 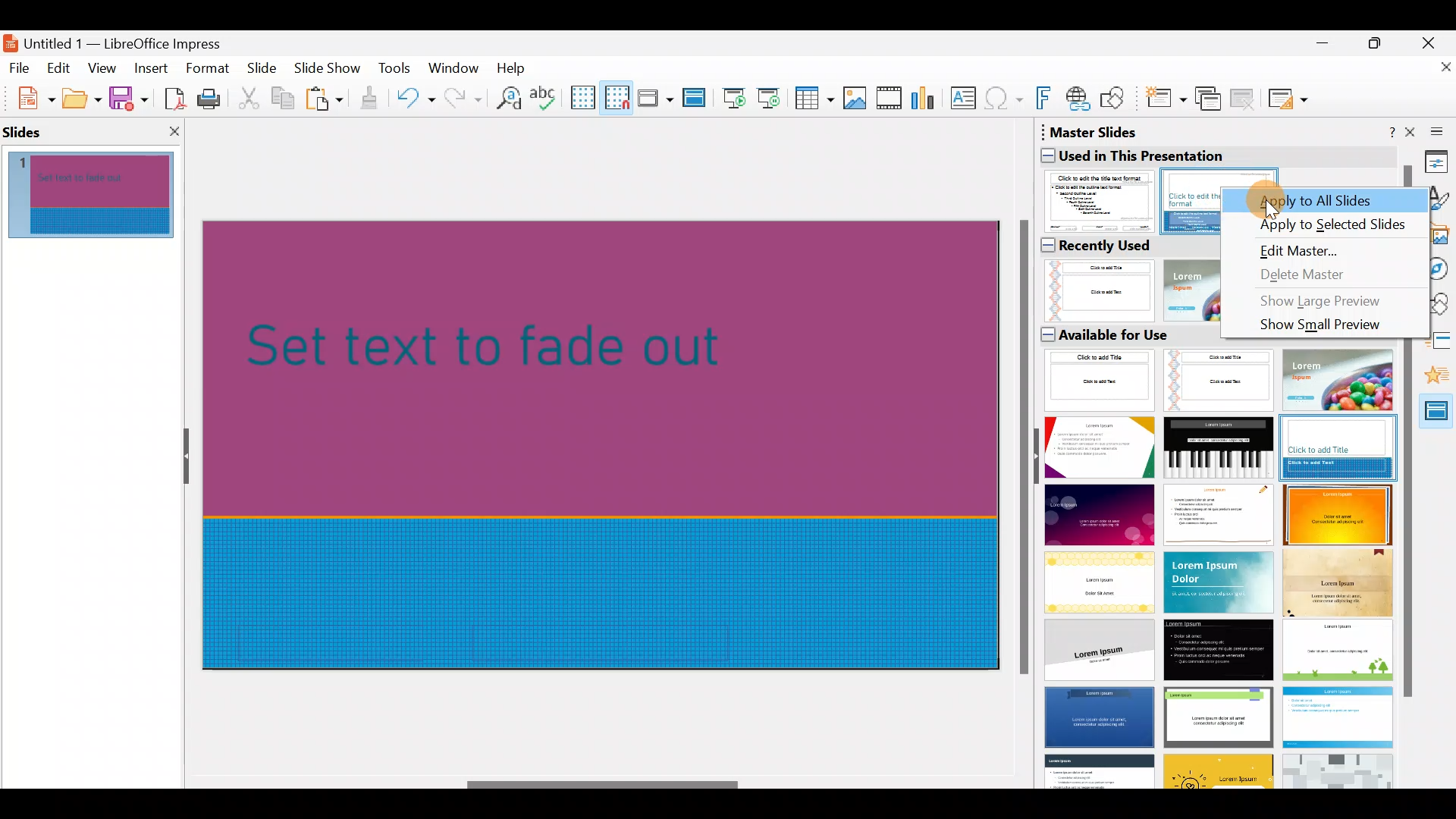 What do you see at coordinates (1245, 98) in the screenshot?
I see `Delete slide` at bounding box center [1245, 98].